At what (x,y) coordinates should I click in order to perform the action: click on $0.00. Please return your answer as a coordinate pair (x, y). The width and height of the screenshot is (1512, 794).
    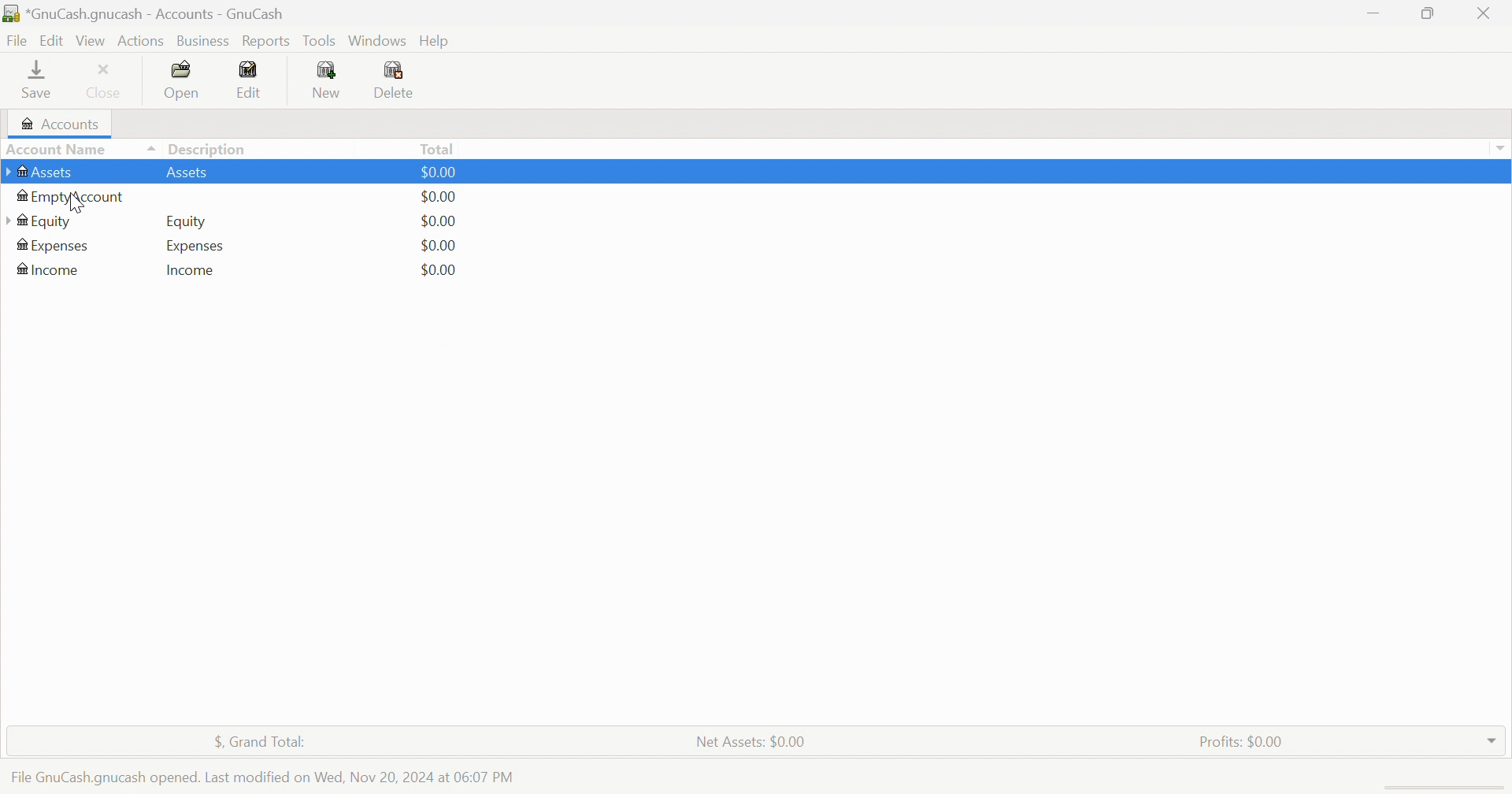
    Looking at the image, I should click on (440, 173).